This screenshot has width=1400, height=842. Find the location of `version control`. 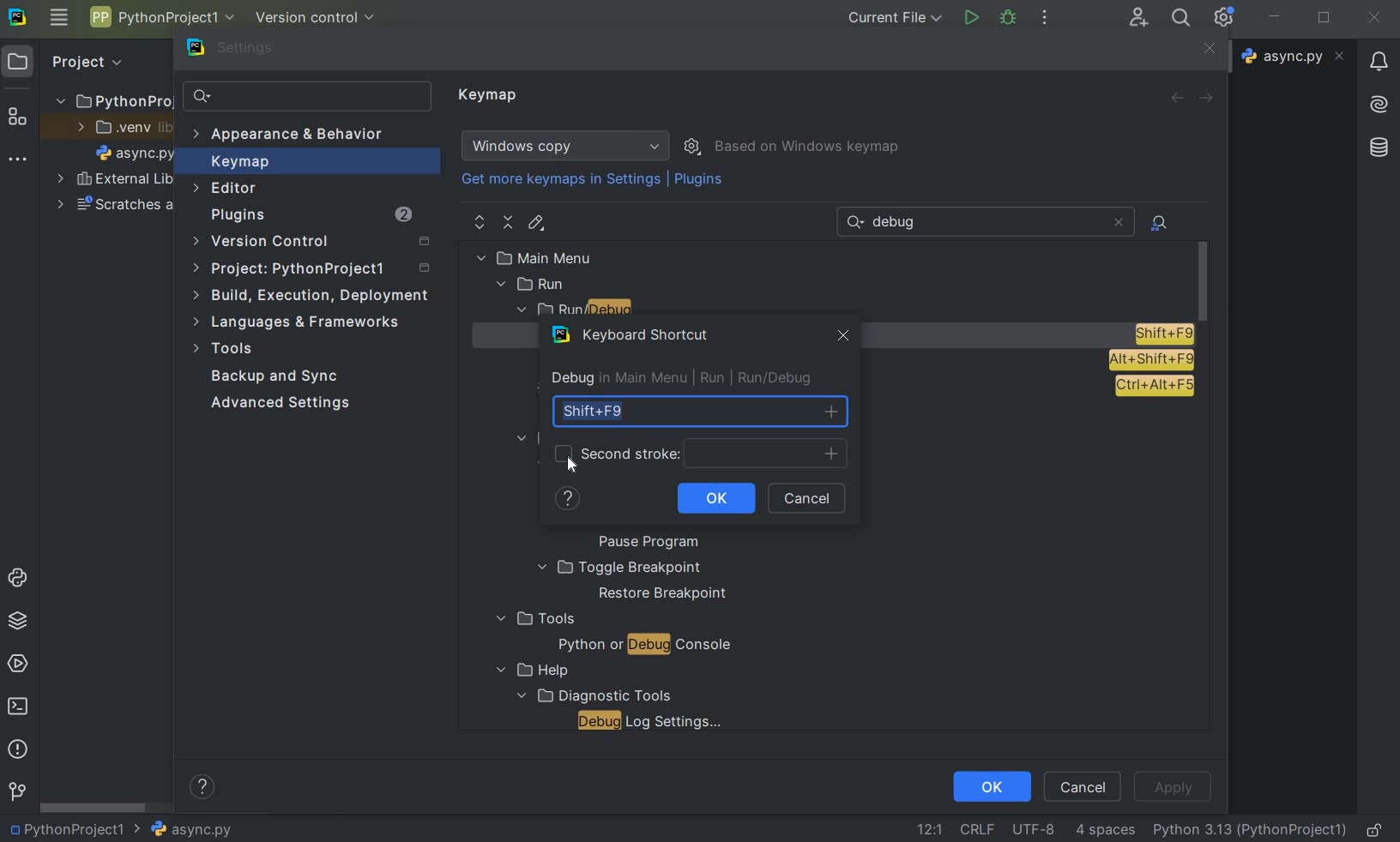

version control is located at coordinates (317, 243).